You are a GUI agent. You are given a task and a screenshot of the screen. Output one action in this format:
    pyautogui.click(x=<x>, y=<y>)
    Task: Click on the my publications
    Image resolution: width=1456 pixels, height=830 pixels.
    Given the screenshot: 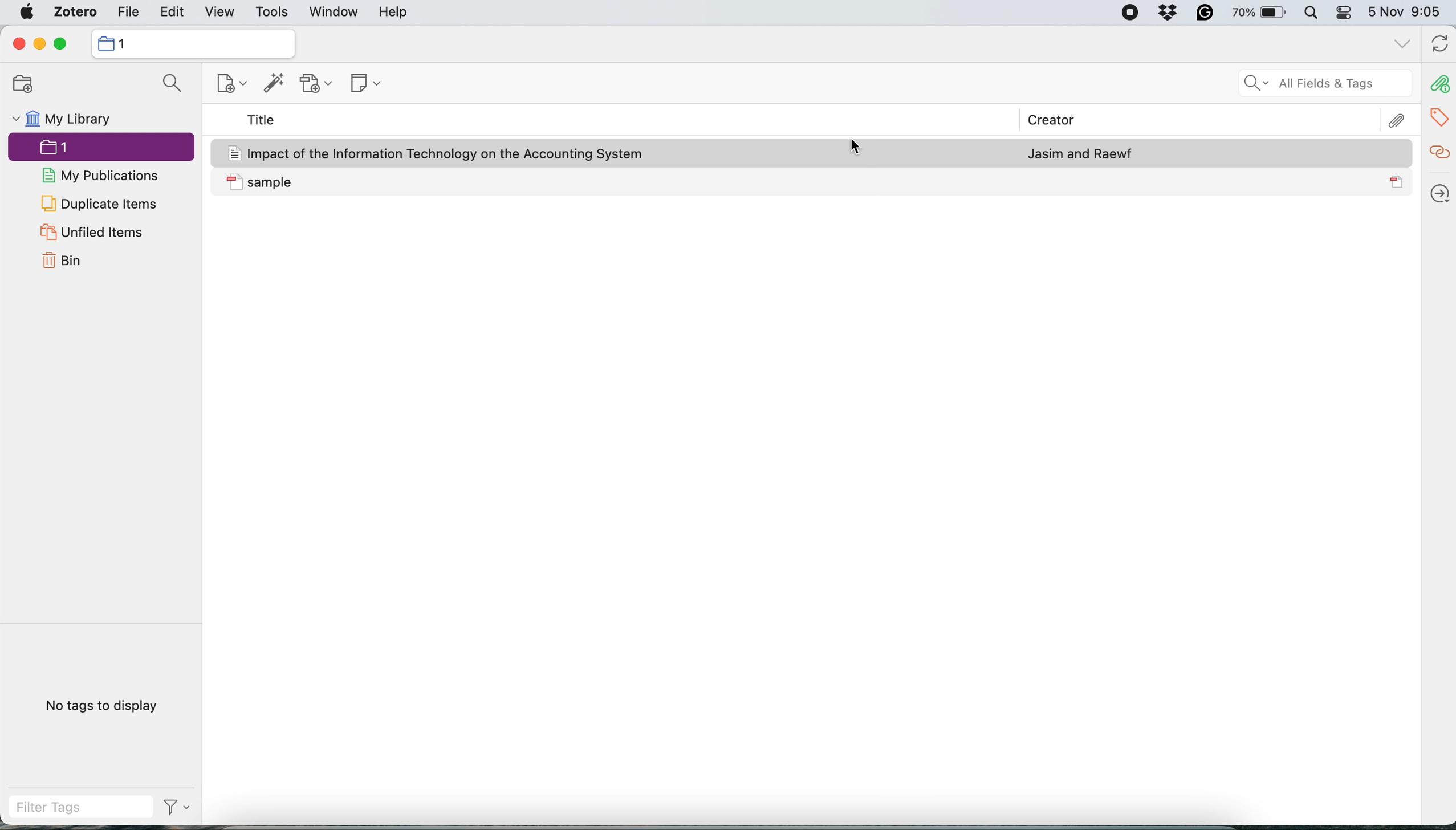 What is the action you would take?
    pyautogui.click(x=101, y=177)
    